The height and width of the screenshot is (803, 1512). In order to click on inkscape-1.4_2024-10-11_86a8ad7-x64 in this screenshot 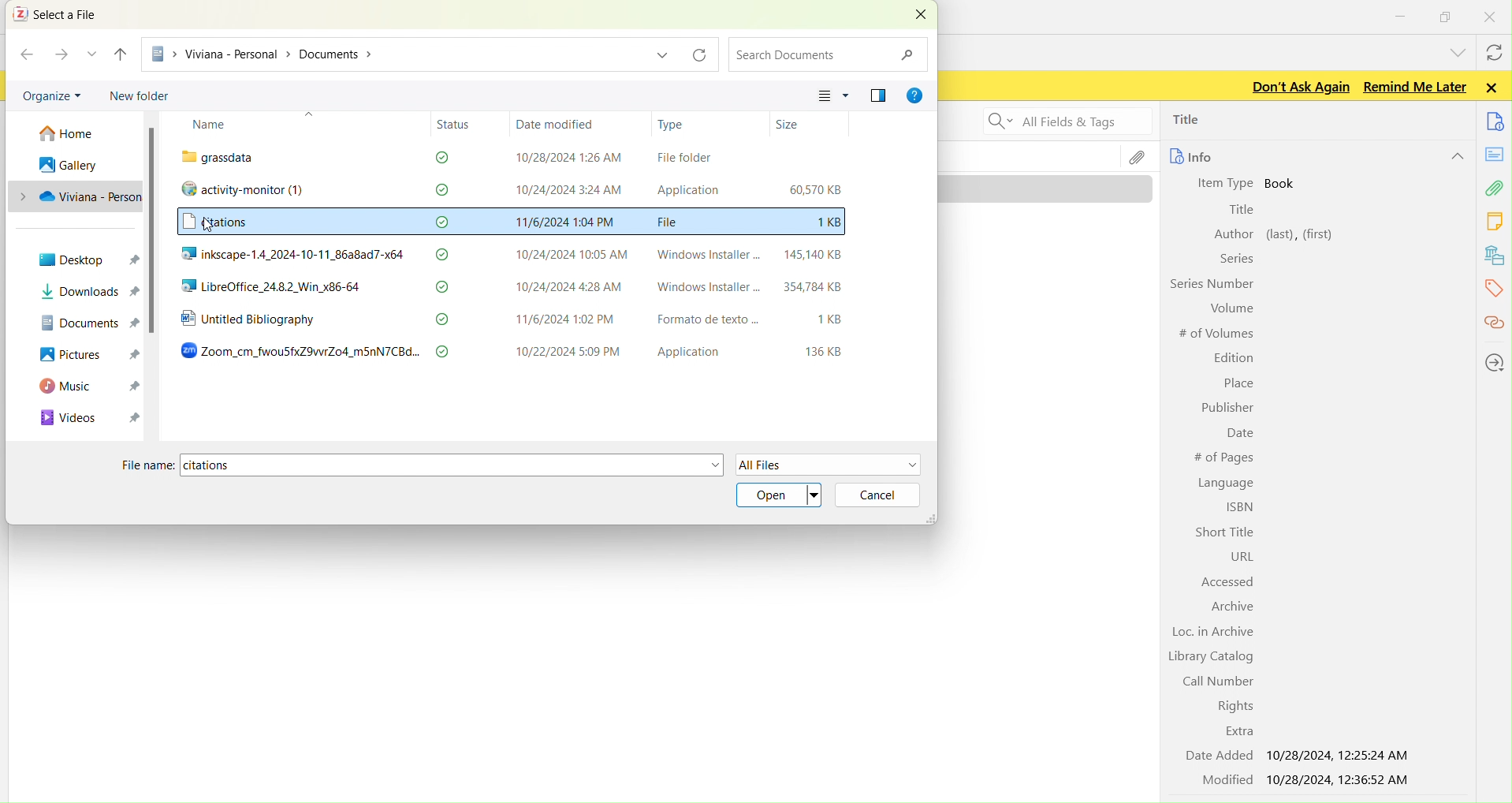, I will do `click(293, 255)`.